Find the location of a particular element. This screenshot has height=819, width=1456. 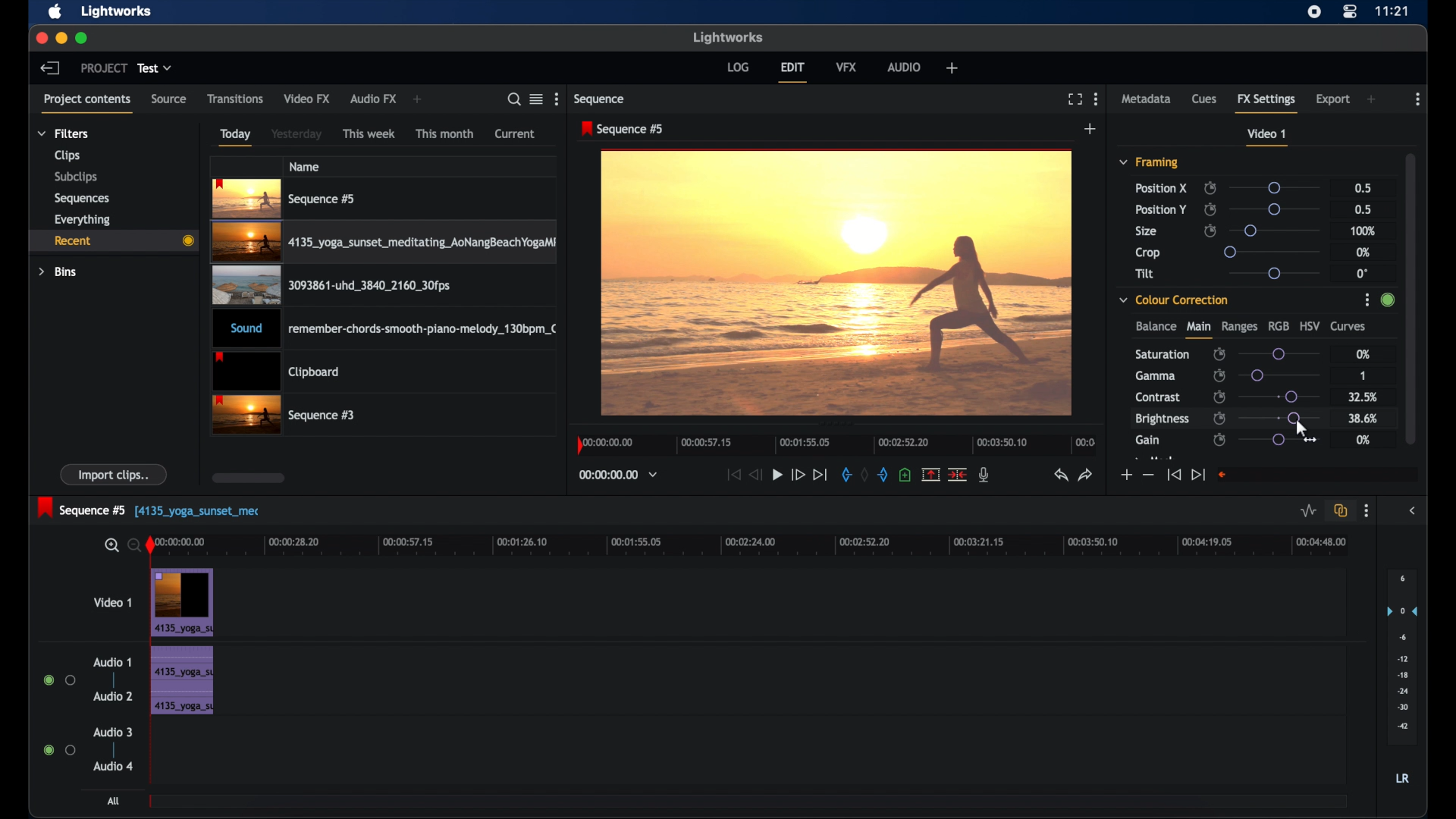

gamma is located at coordinates (1156, 375).